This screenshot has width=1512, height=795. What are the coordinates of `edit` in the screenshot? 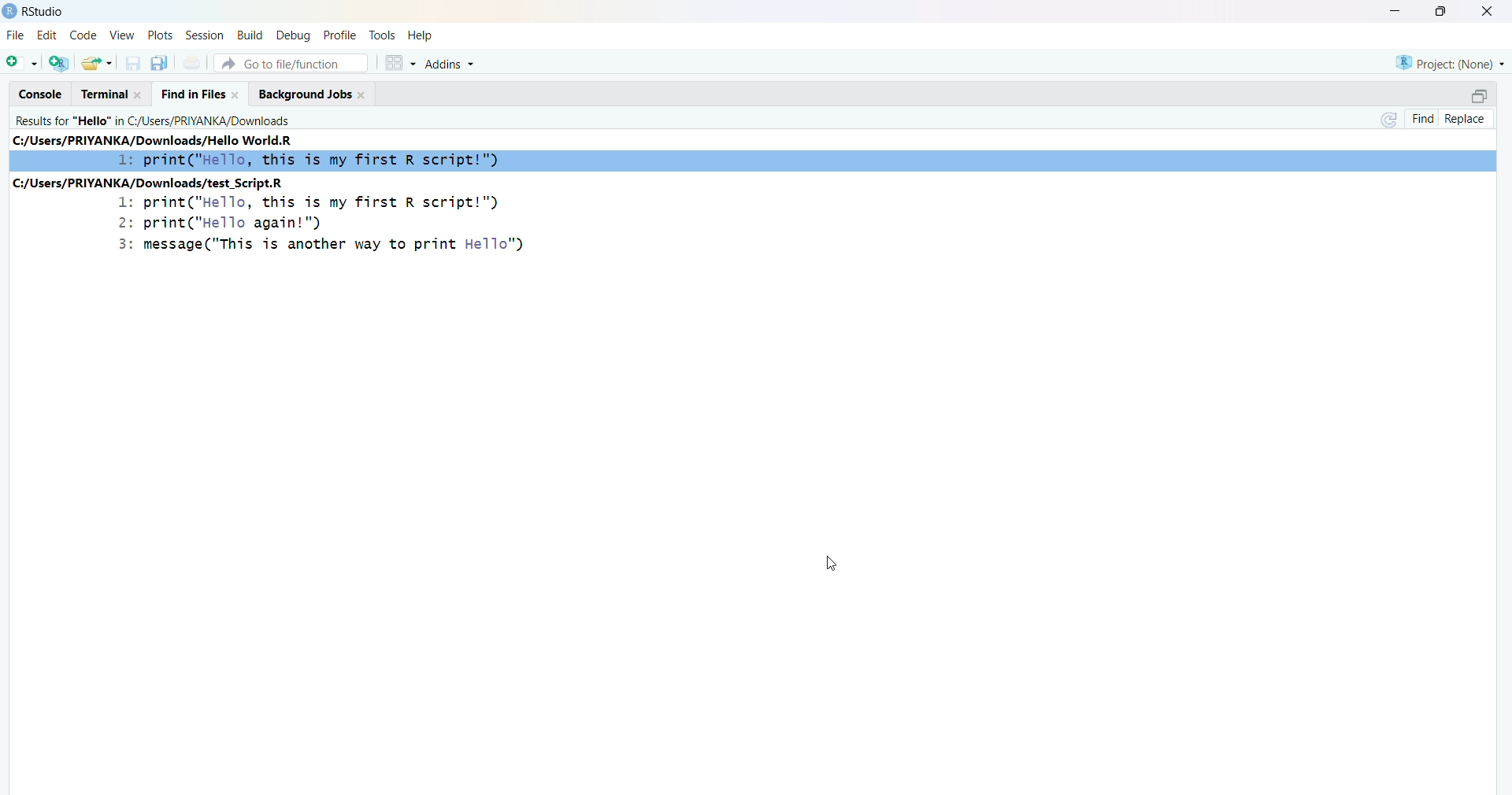 It's located at (47, 35).